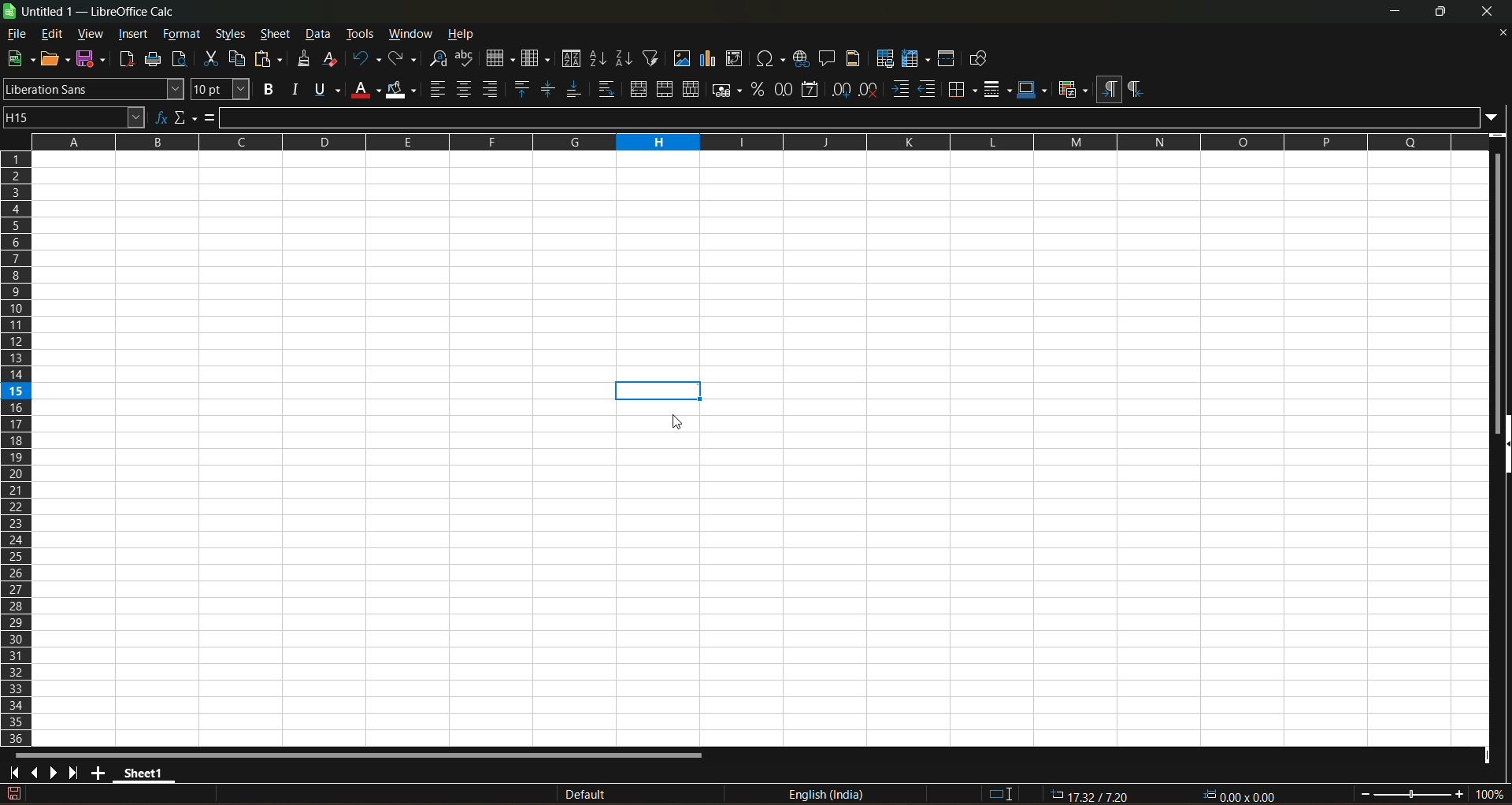 The image size is (1512, 805). What do you see at coordinates (439, 59) in the screenshot?
I see `find and replace` at bounding box center [439, 59].